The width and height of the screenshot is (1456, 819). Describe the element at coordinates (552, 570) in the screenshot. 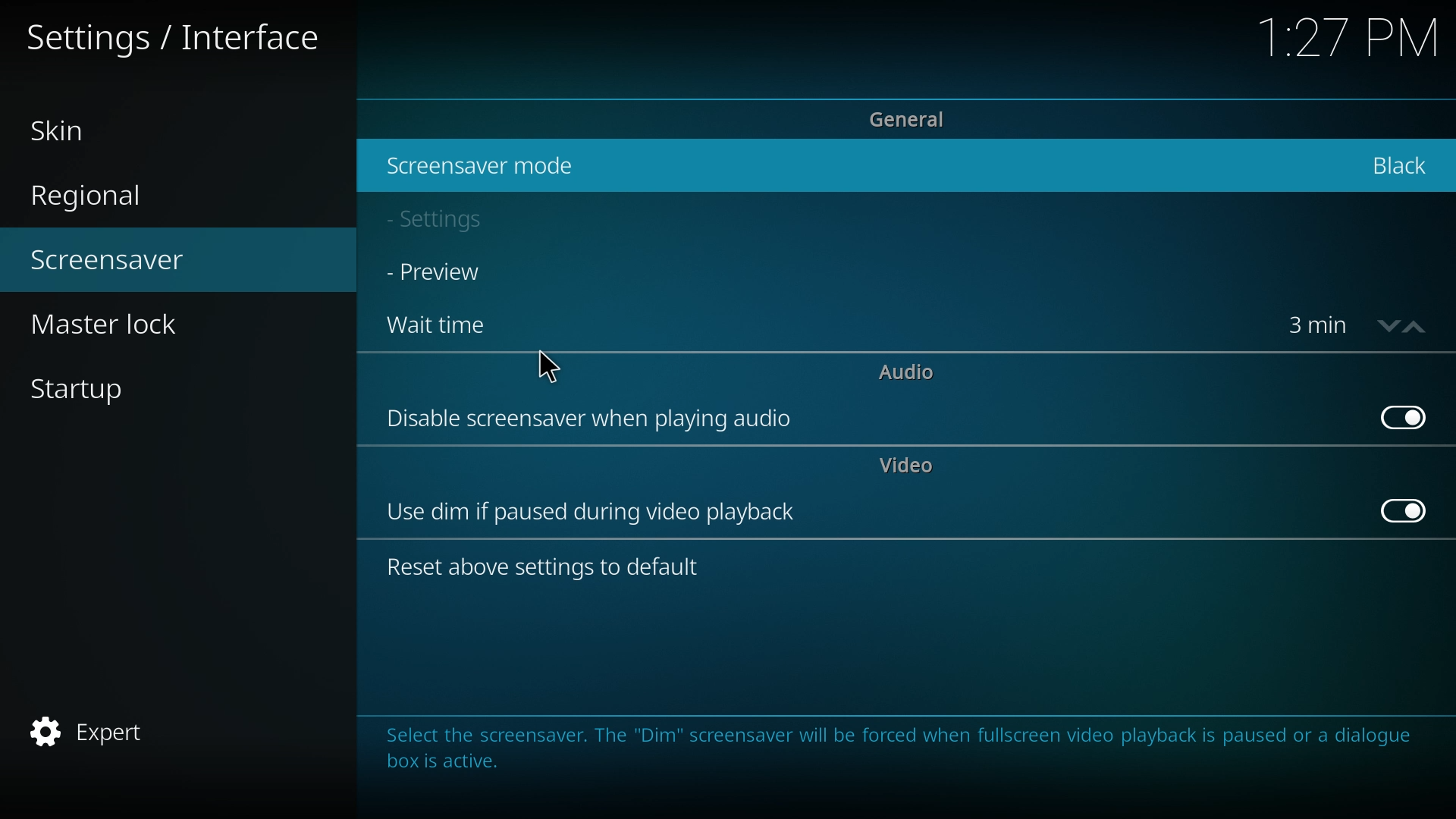

I see `reset above settings to default` at that location.